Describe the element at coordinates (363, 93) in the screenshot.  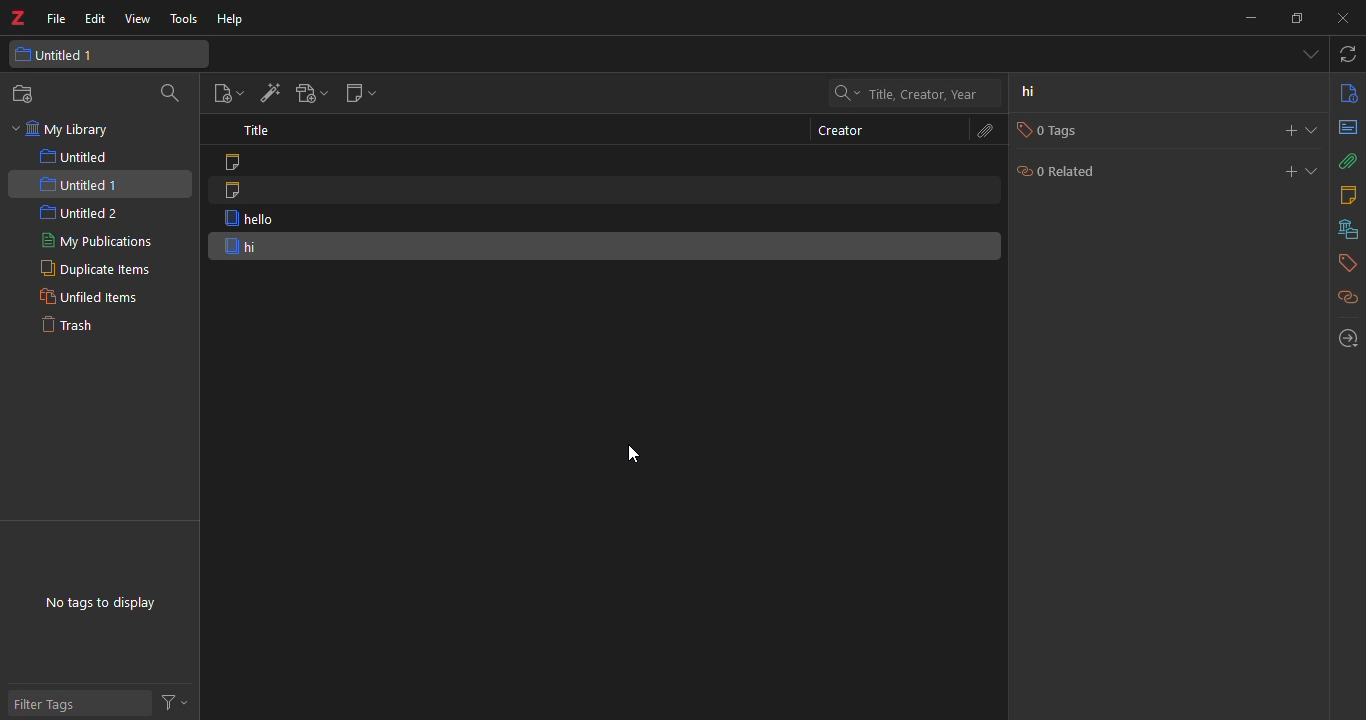
I see `new note` at that location.